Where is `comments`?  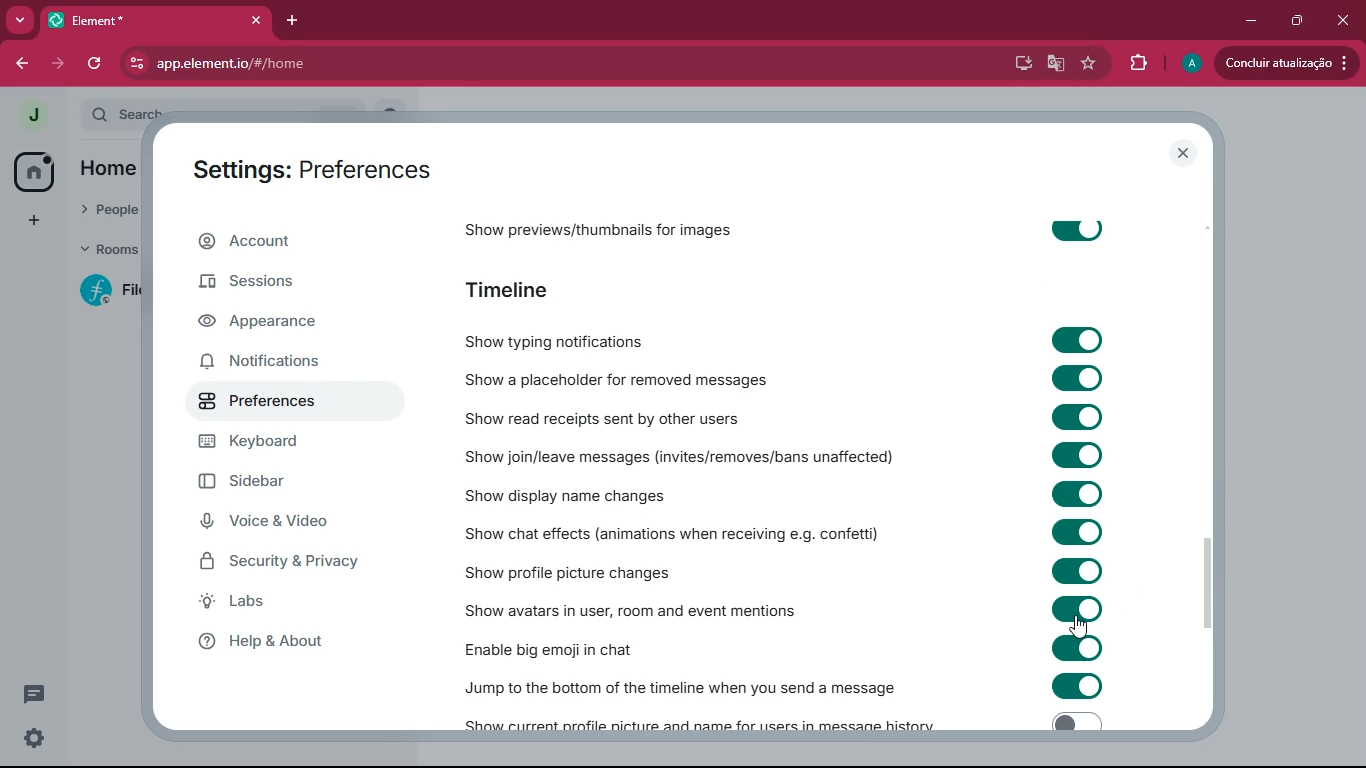 comments is located at coordinates (35, 686).